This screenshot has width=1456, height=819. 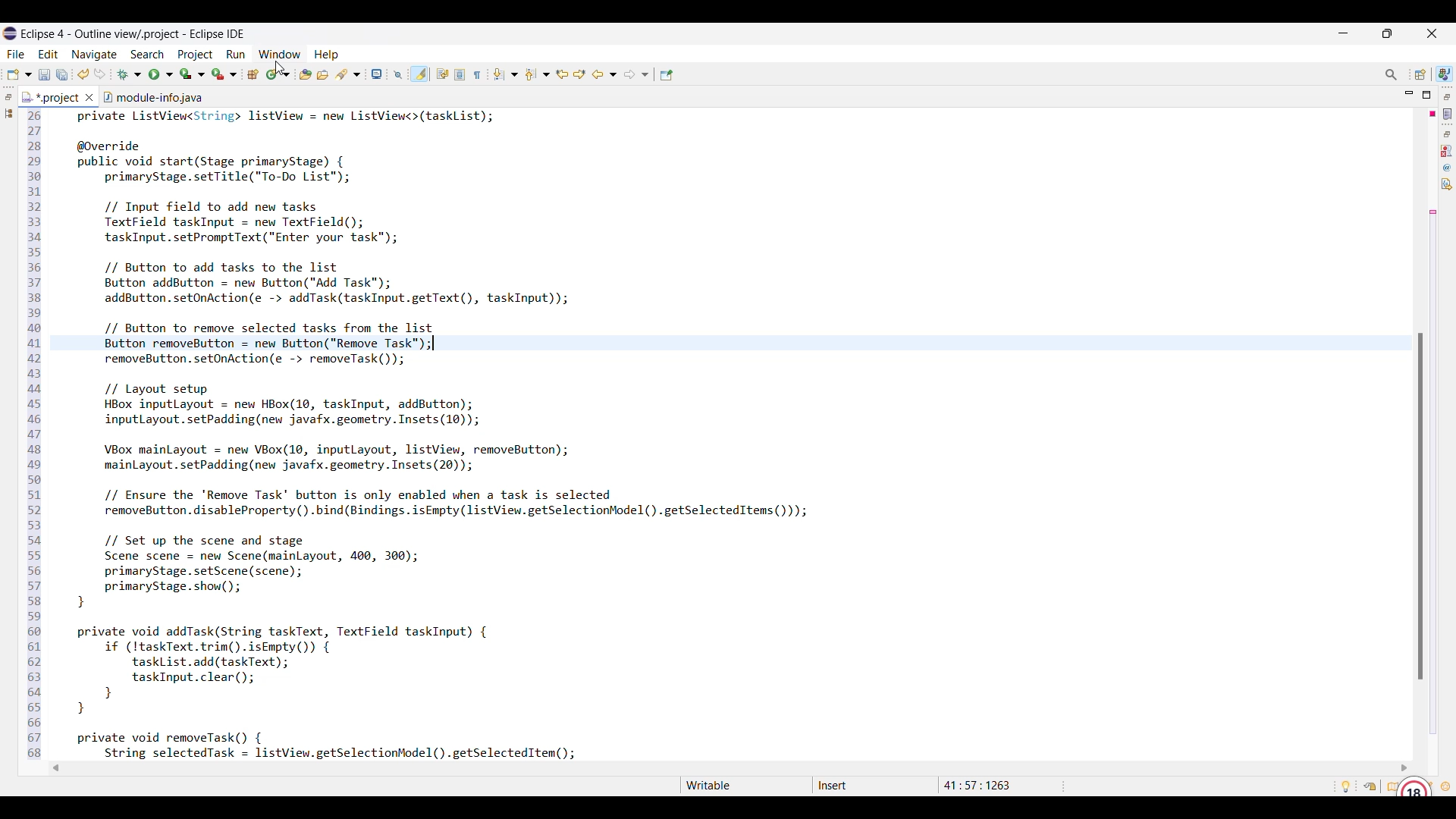 I want to click on Restore, so click(x=8, y=97).